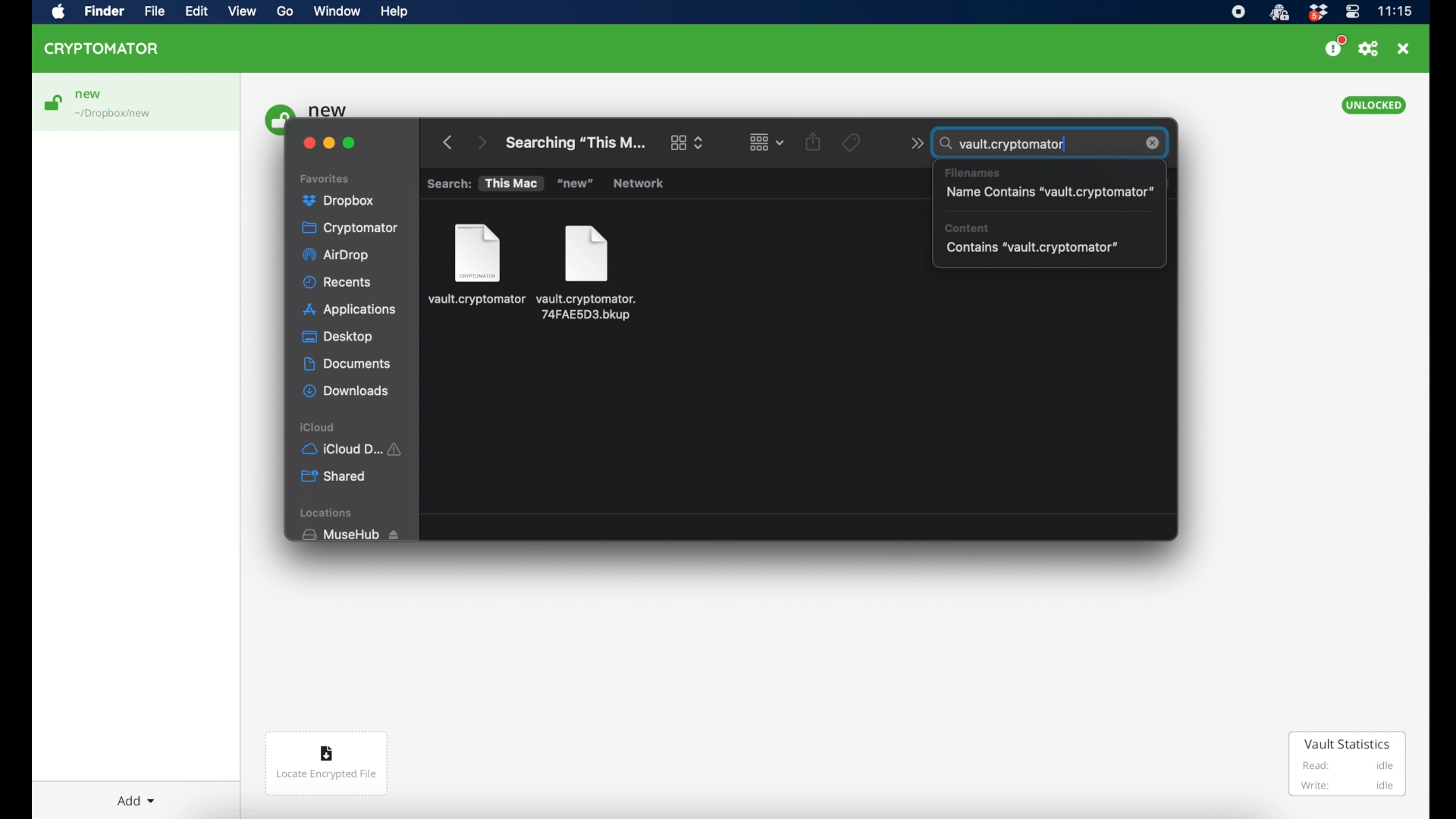 The image size is (1456, 819). I want to click on iCloud, so click(354, 449).